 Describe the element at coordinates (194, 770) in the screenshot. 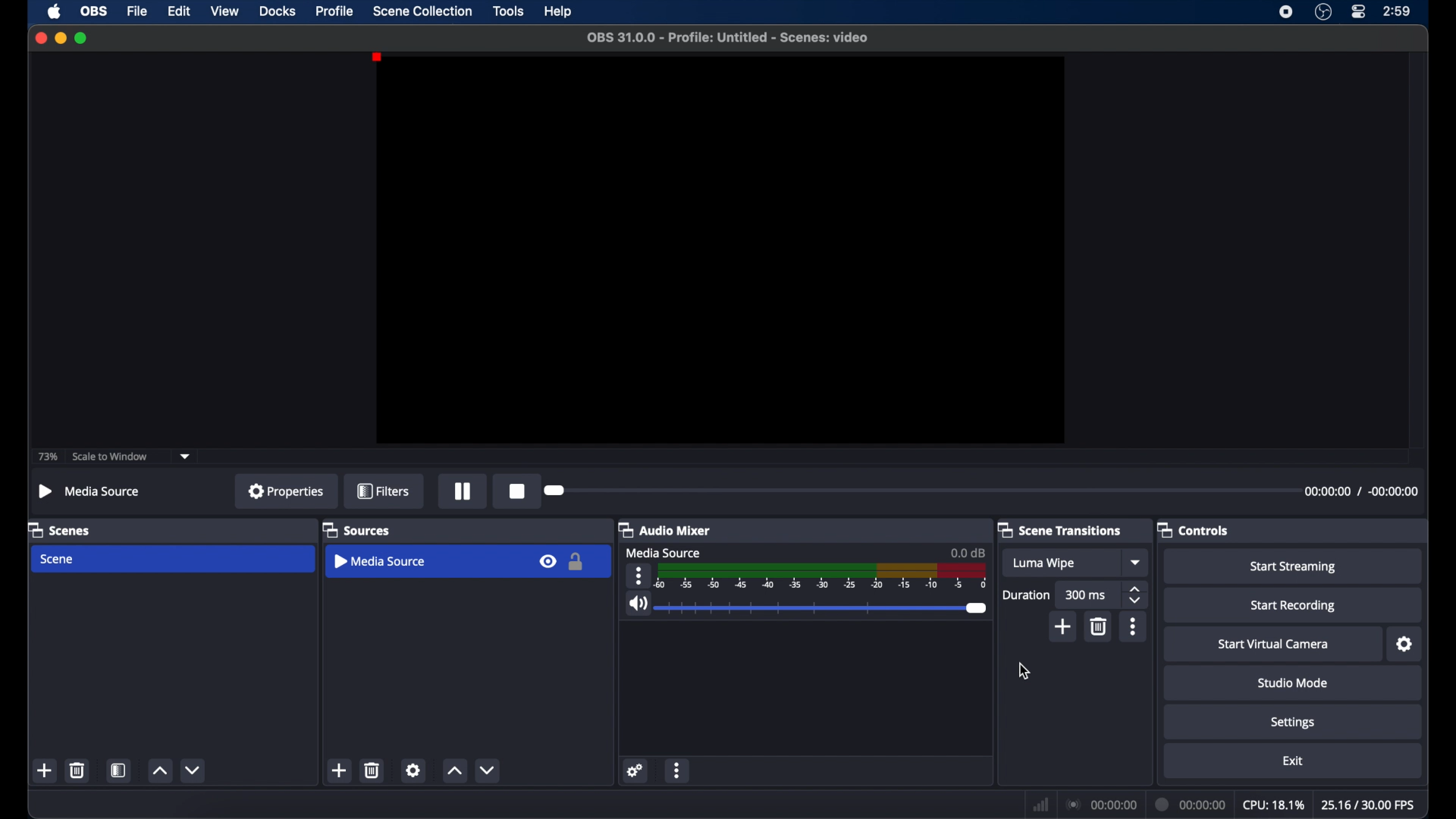

I see `decrement` at that location.